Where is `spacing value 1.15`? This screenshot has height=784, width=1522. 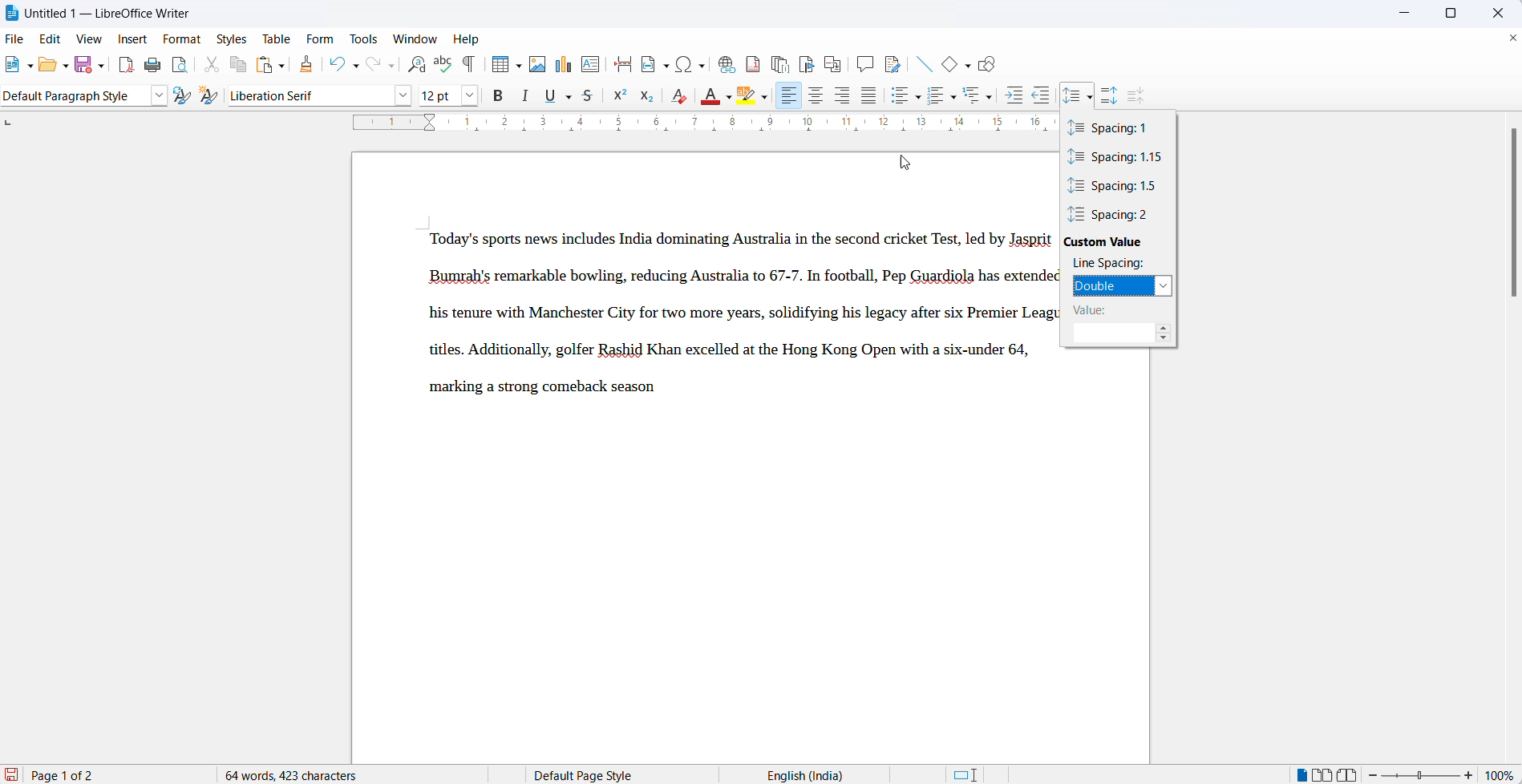 spacing value 1.15 is located at coordinates (1117, 158).